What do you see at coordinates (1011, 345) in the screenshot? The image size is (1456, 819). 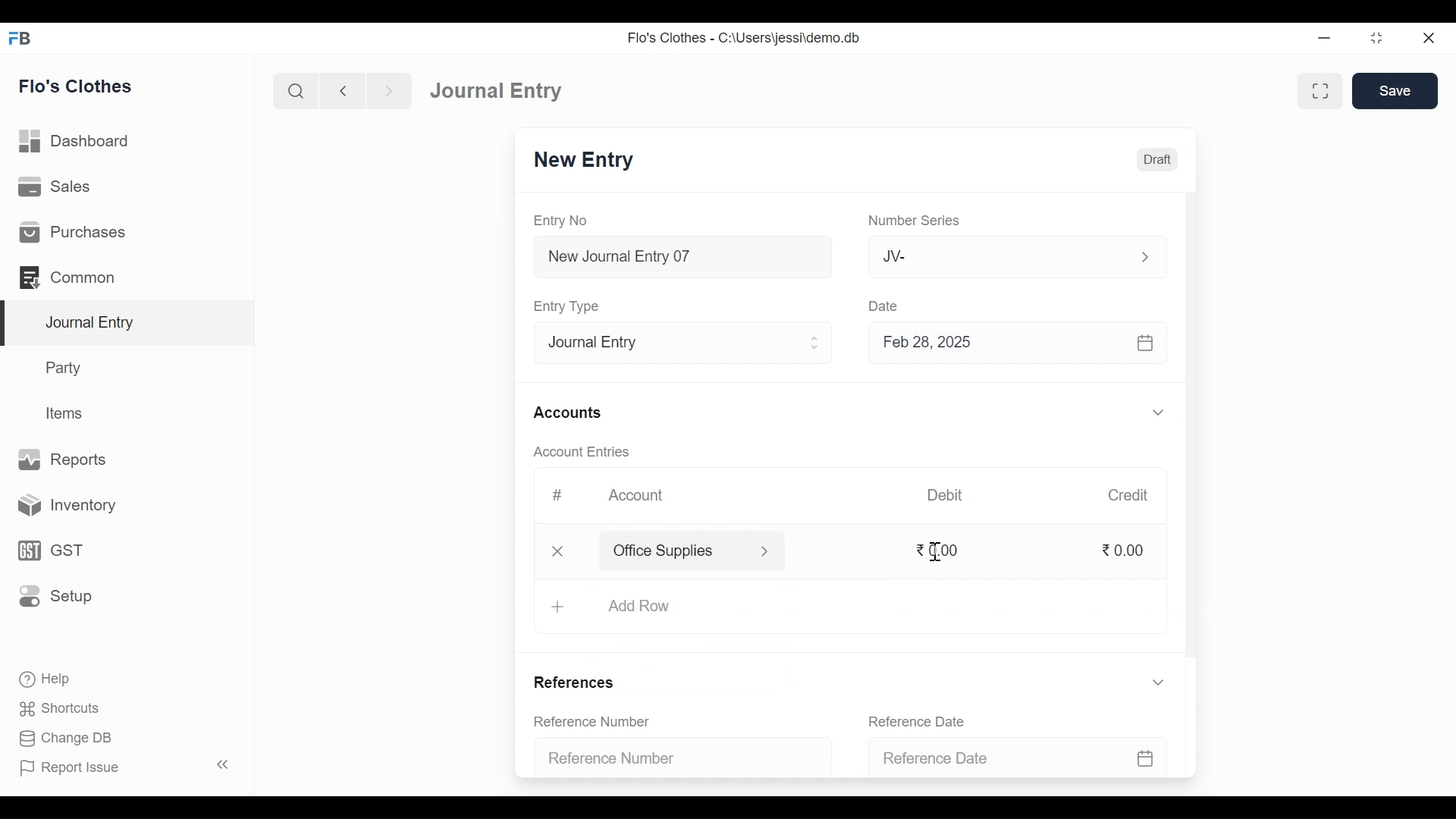 I see `Feb 28, 2025` at bounding box center [1011, 345].